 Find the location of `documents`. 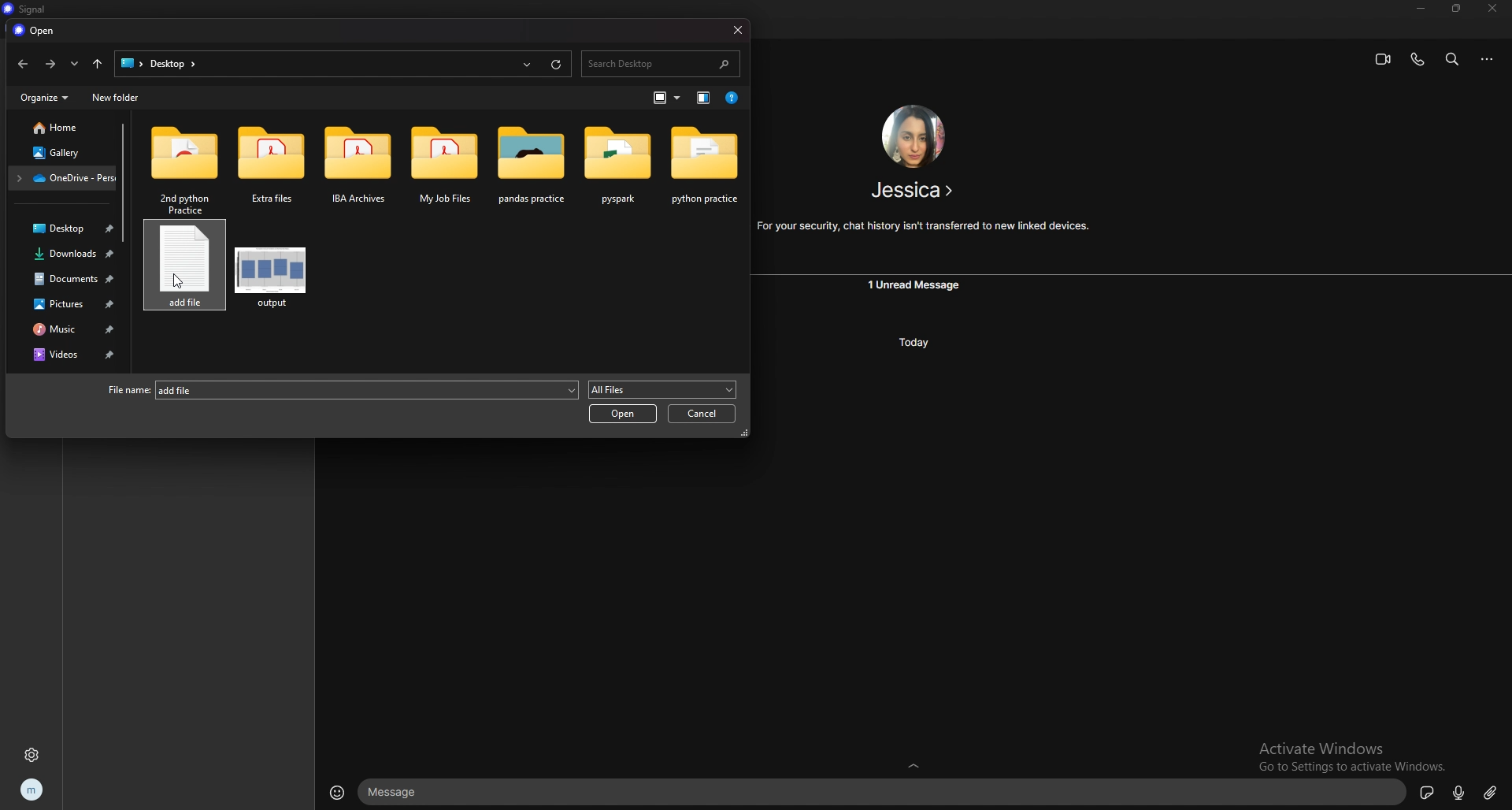

documents is located at coordinates (66, 281).